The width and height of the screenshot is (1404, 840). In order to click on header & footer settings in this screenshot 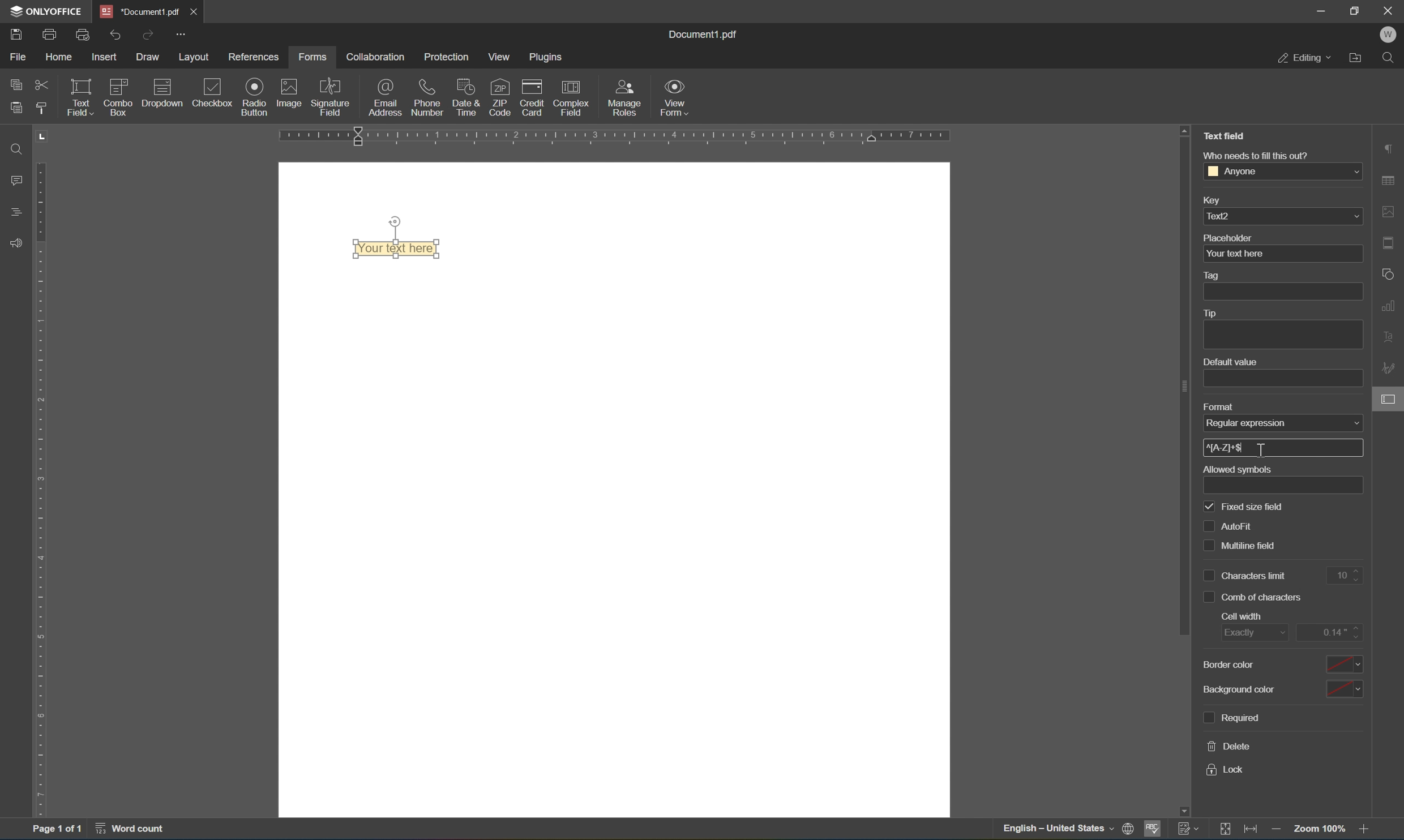, I will do `click(1389, 244)`.